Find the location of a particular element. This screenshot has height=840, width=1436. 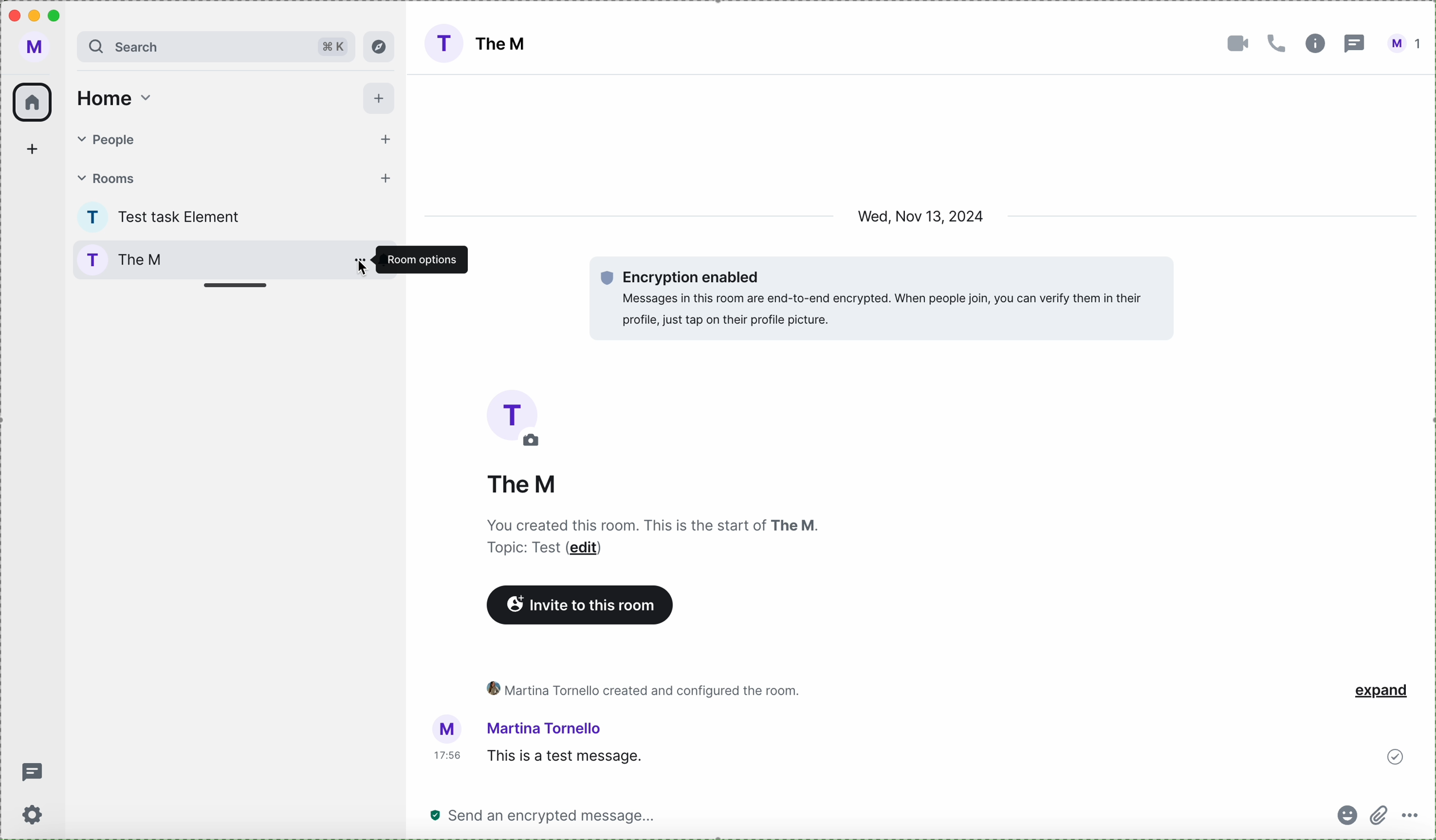

picture room is located at coordinates (514, 408).